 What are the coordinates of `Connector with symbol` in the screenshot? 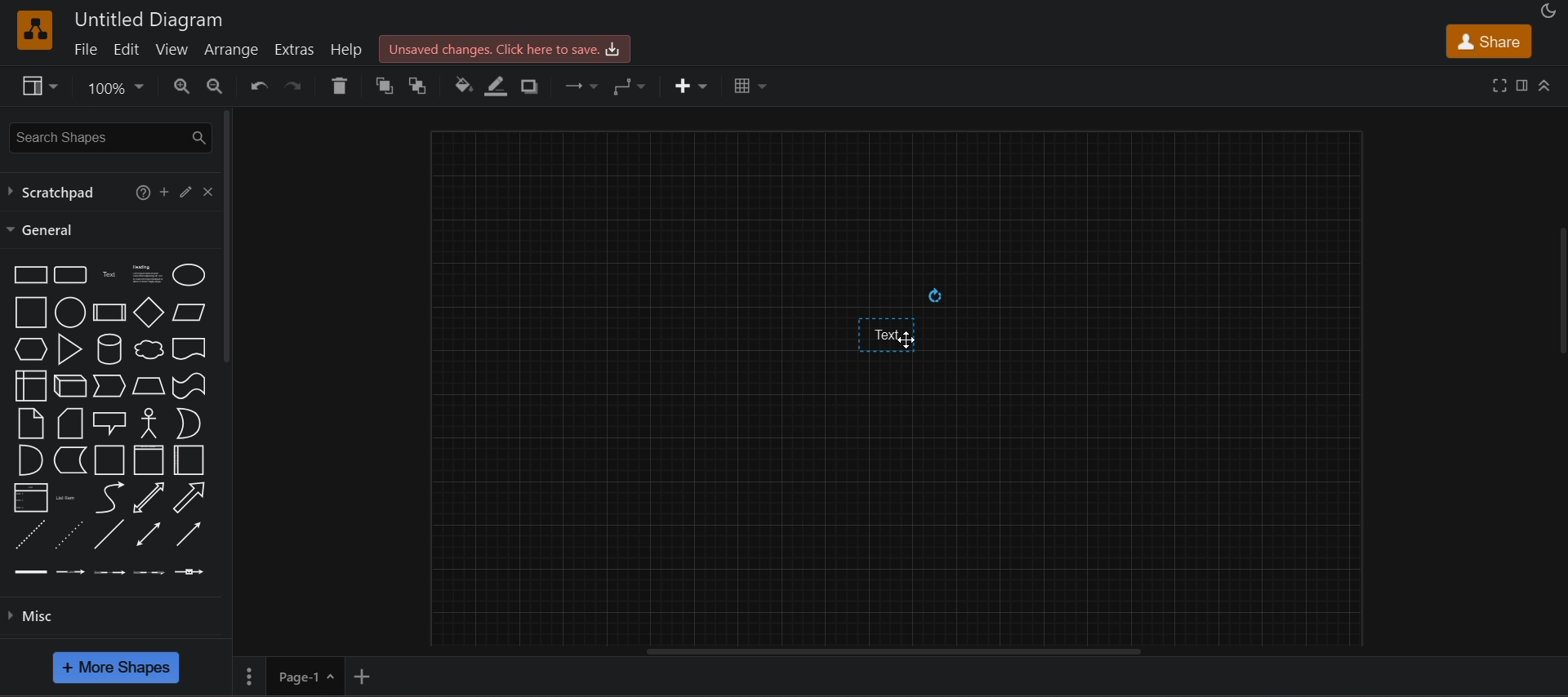 It's located at (189, 572).